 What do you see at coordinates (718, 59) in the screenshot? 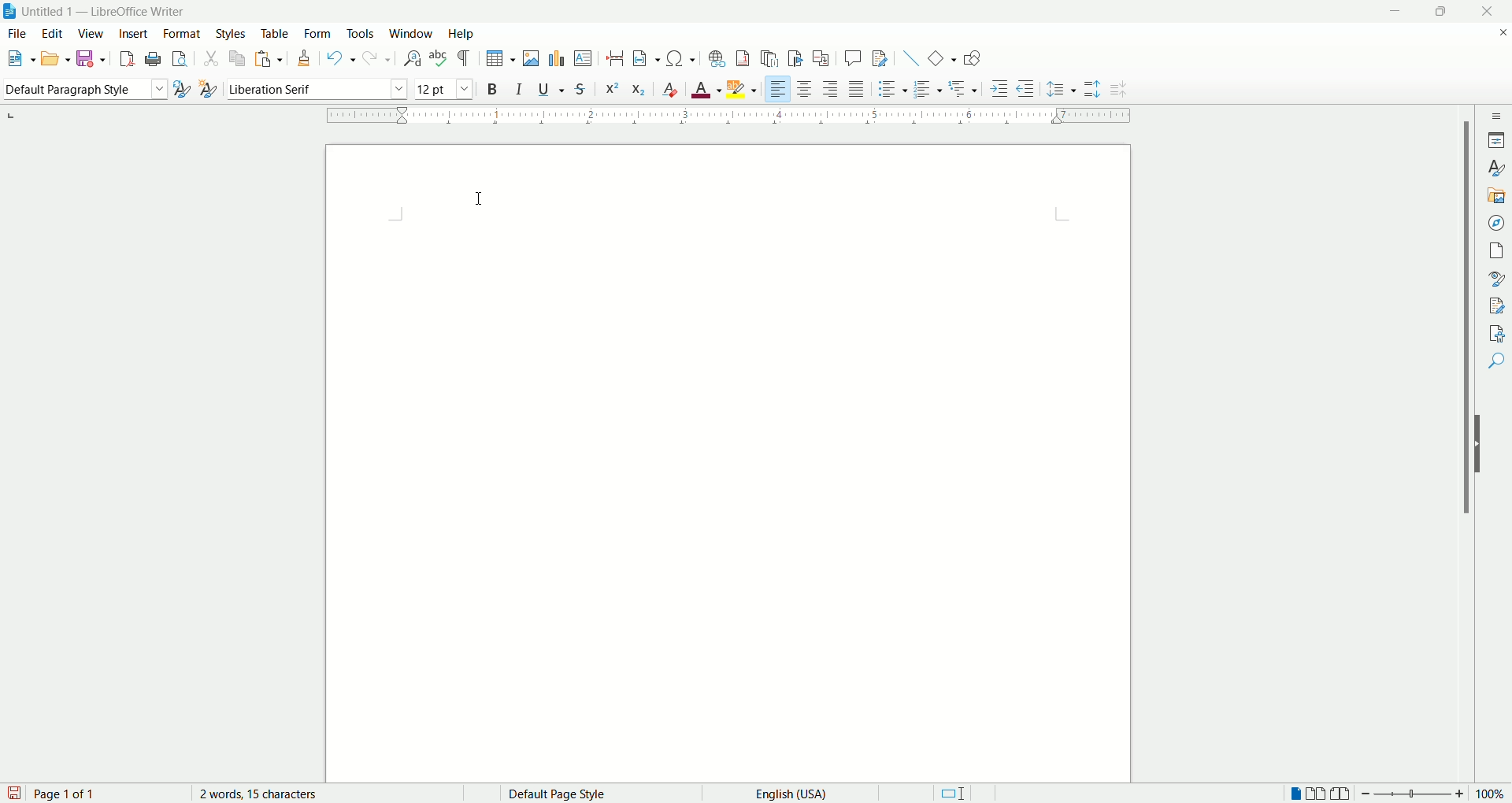
I see `insert footnote` at bounding box center [718, 59].